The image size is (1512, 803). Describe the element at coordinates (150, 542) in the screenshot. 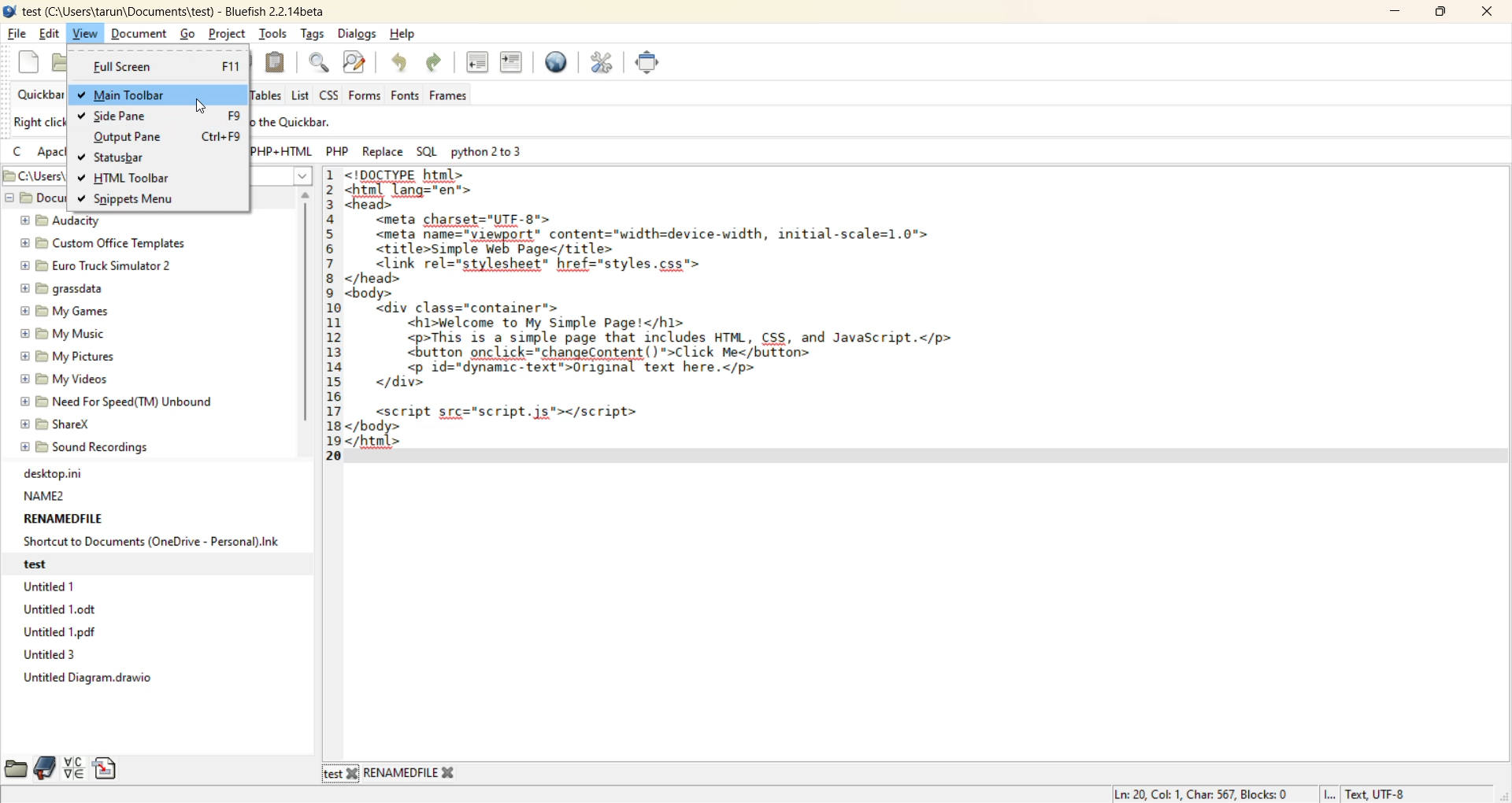

I see `Shortcut to Documents (OneDrive - Personal).Ink` at that location.